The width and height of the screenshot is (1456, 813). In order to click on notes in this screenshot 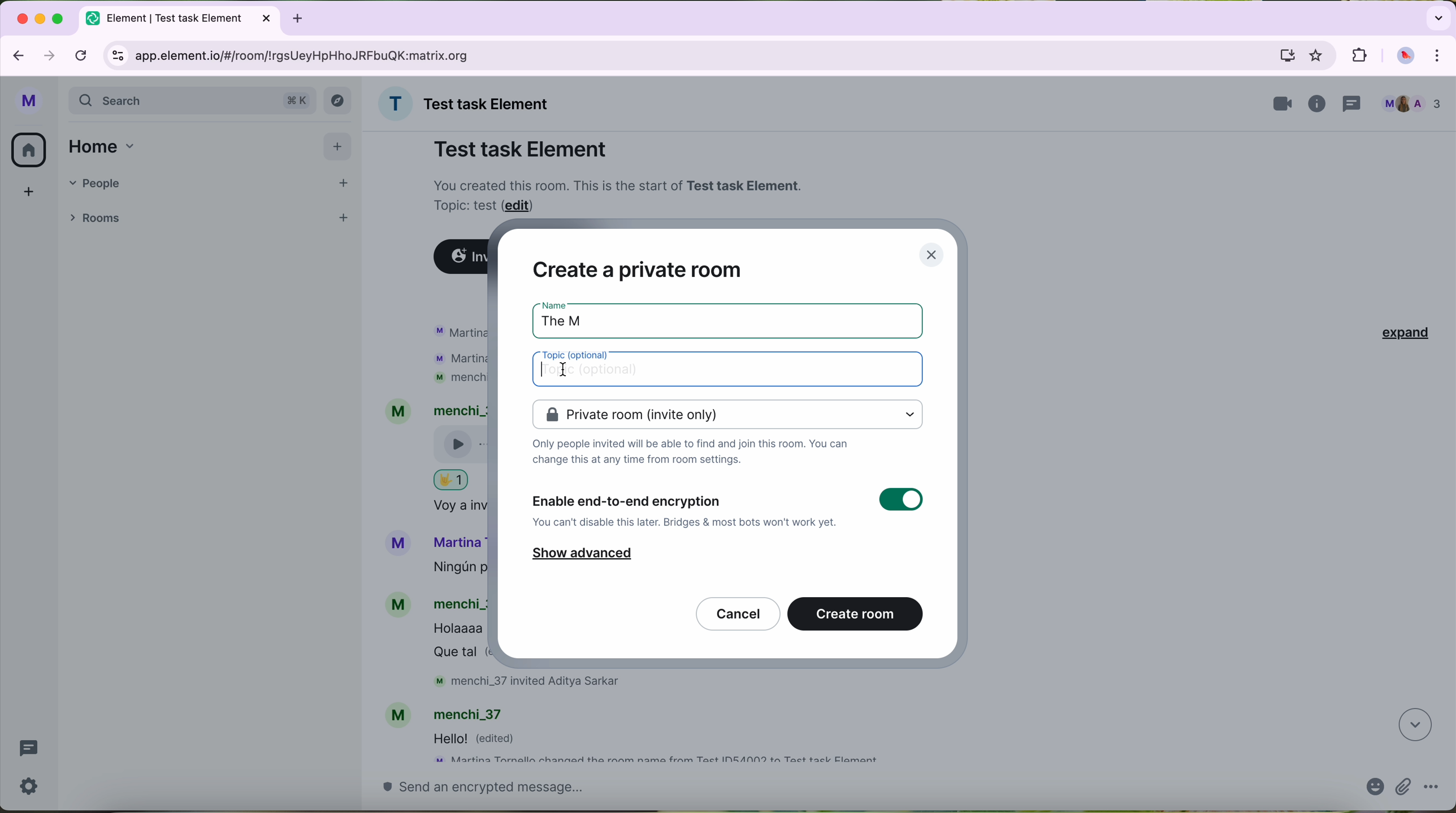, I will do `click(691, 455)`.